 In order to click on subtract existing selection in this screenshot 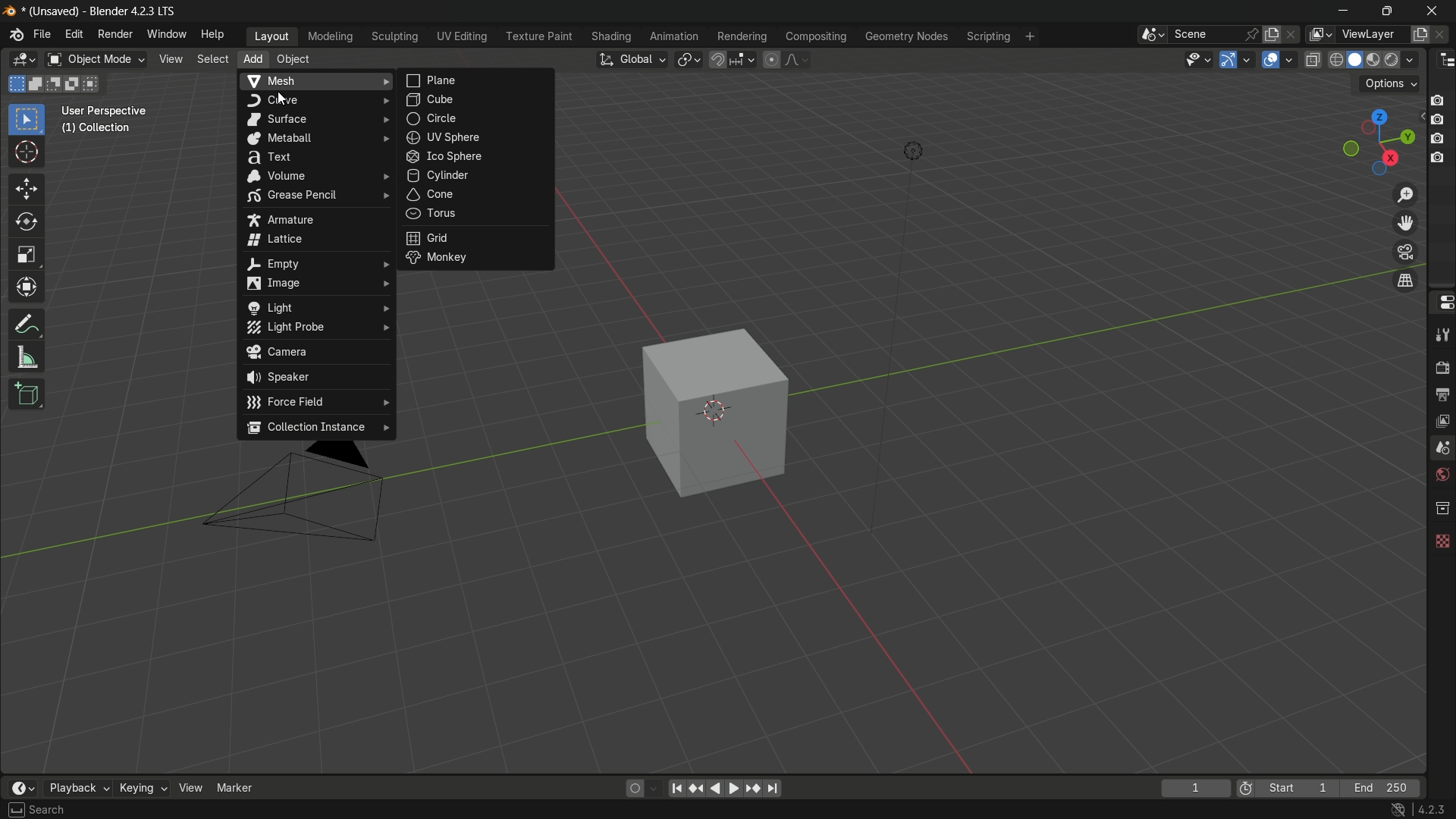, I will do `click(56, 85)`.